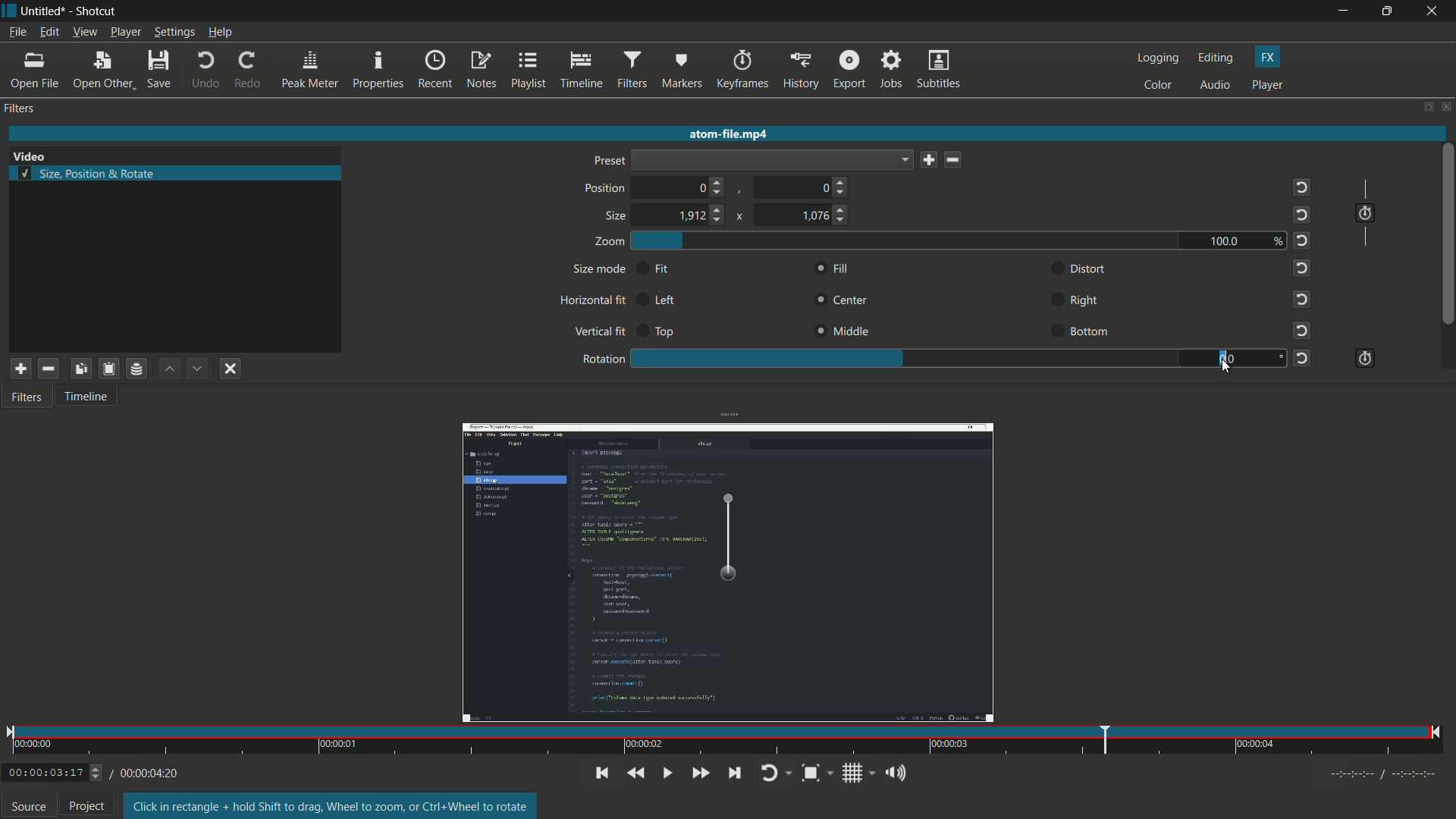 This screenshot has width=1456, height=819. Describe the element at coordinates (827, 215) in the screenshot. I see `1076 (choose size)` at that location.